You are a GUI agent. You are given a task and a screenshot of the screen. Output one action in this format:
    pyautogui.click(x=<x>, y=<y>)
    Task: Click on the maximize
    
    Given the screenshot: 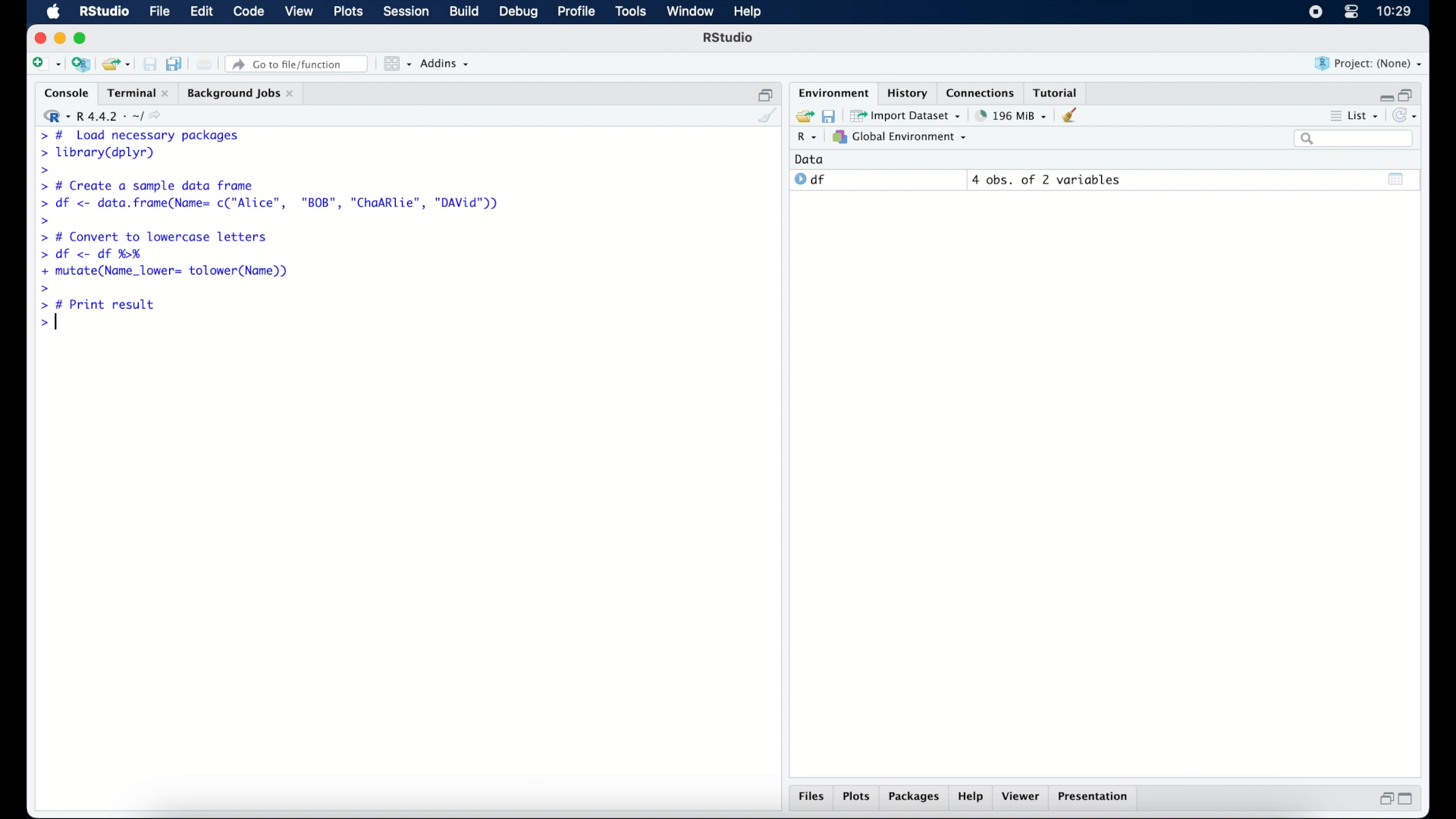 What is the action you would take?
    pyautogui.click(x=1410, y=799)
    